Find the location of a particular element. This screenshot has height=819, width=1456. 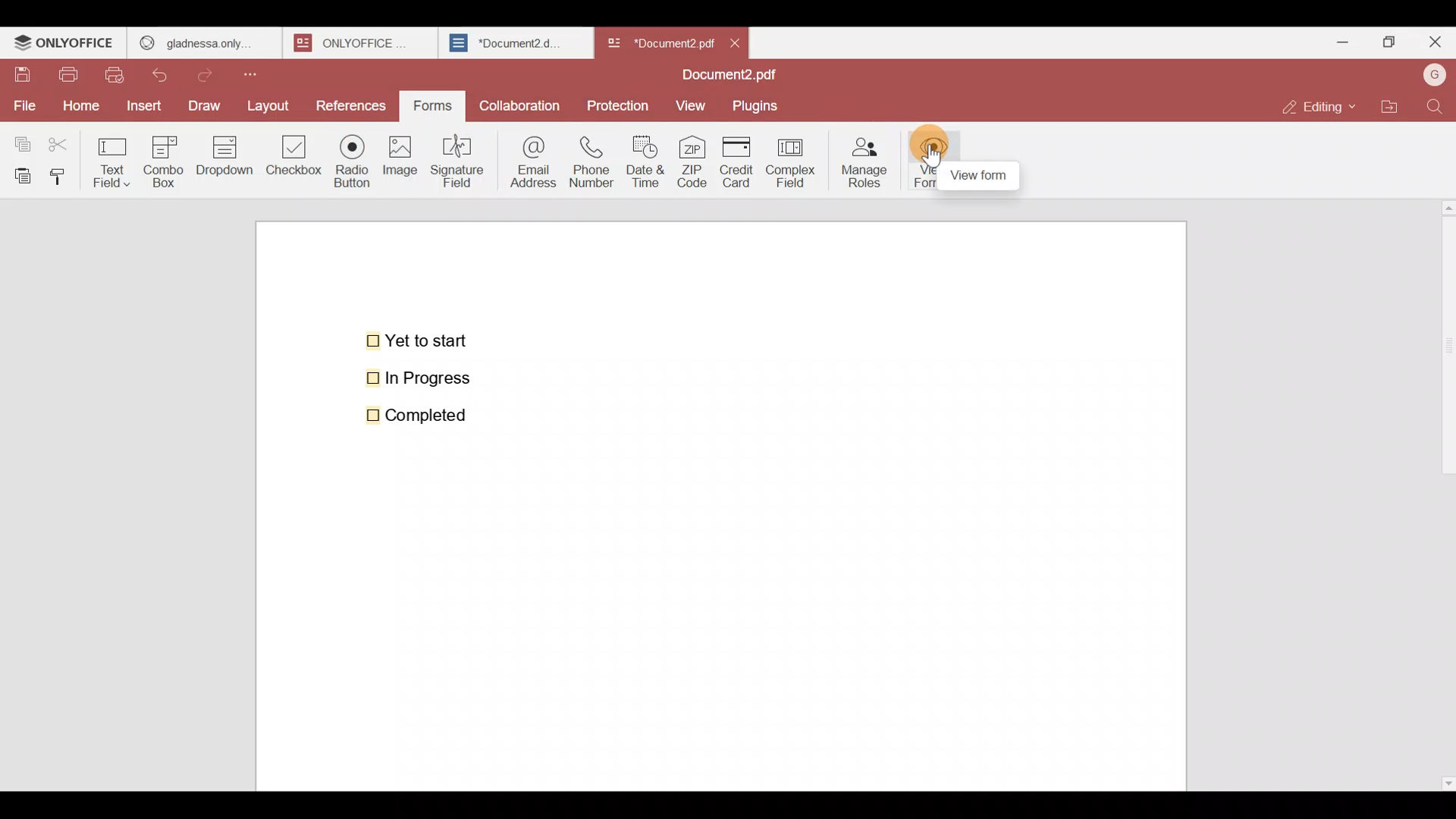

Complex field is located at coordinates (789, 164).